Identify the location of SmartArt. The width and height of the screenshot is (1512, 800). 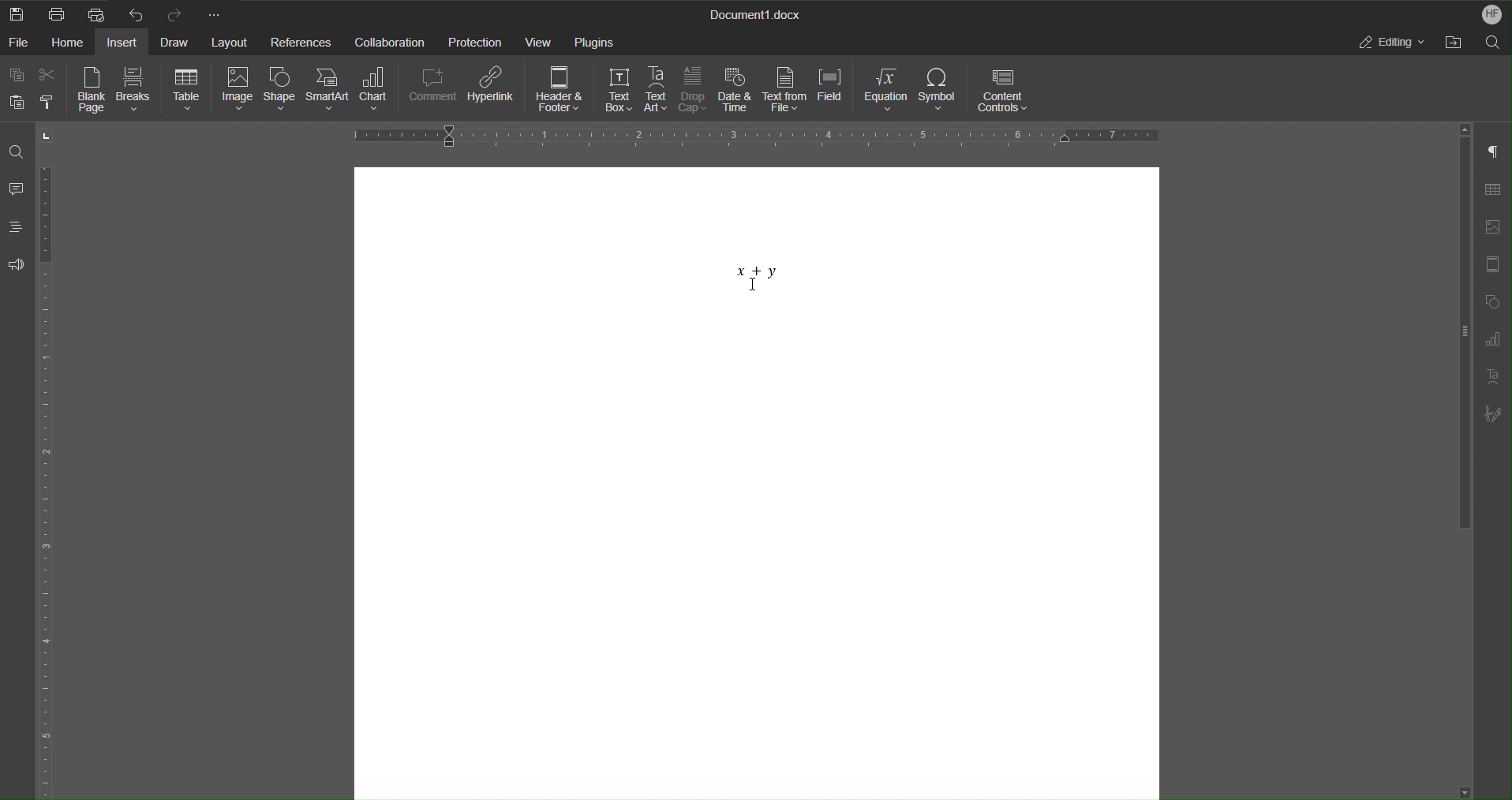
(327, 91).